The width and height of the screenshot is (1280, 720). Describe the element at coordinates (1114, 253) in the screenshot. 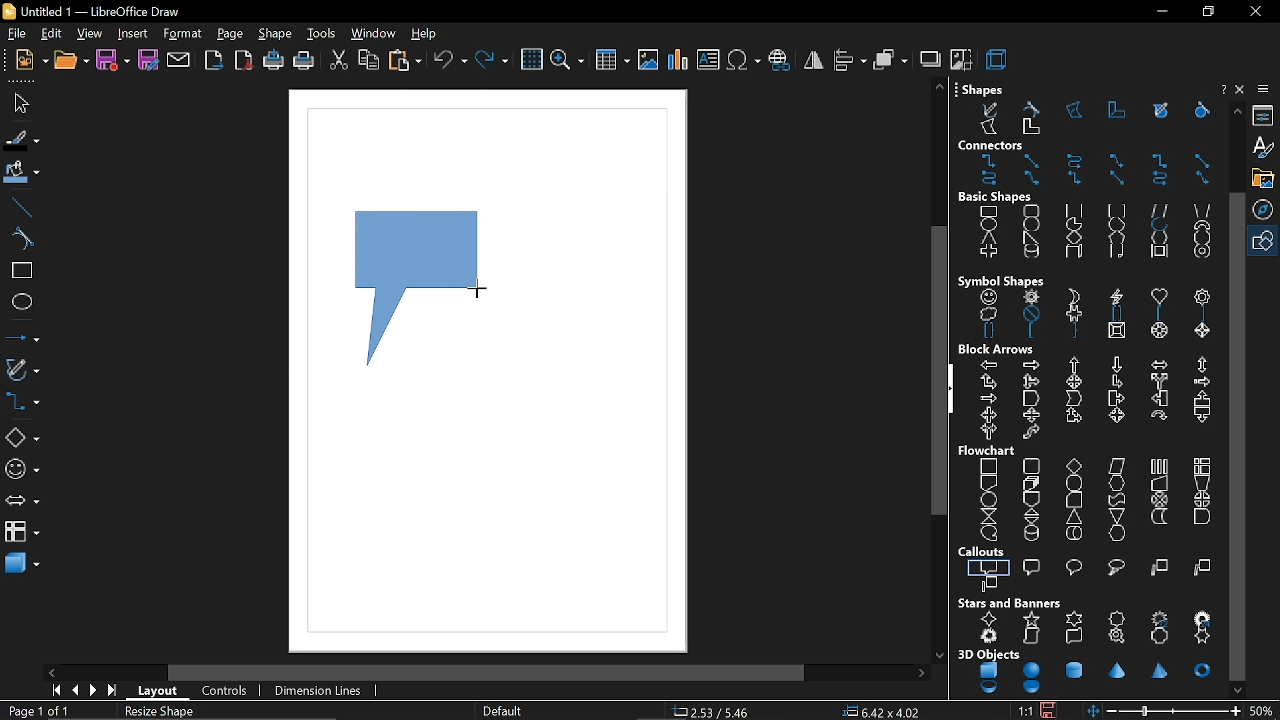

I see `folded corner` at that location.